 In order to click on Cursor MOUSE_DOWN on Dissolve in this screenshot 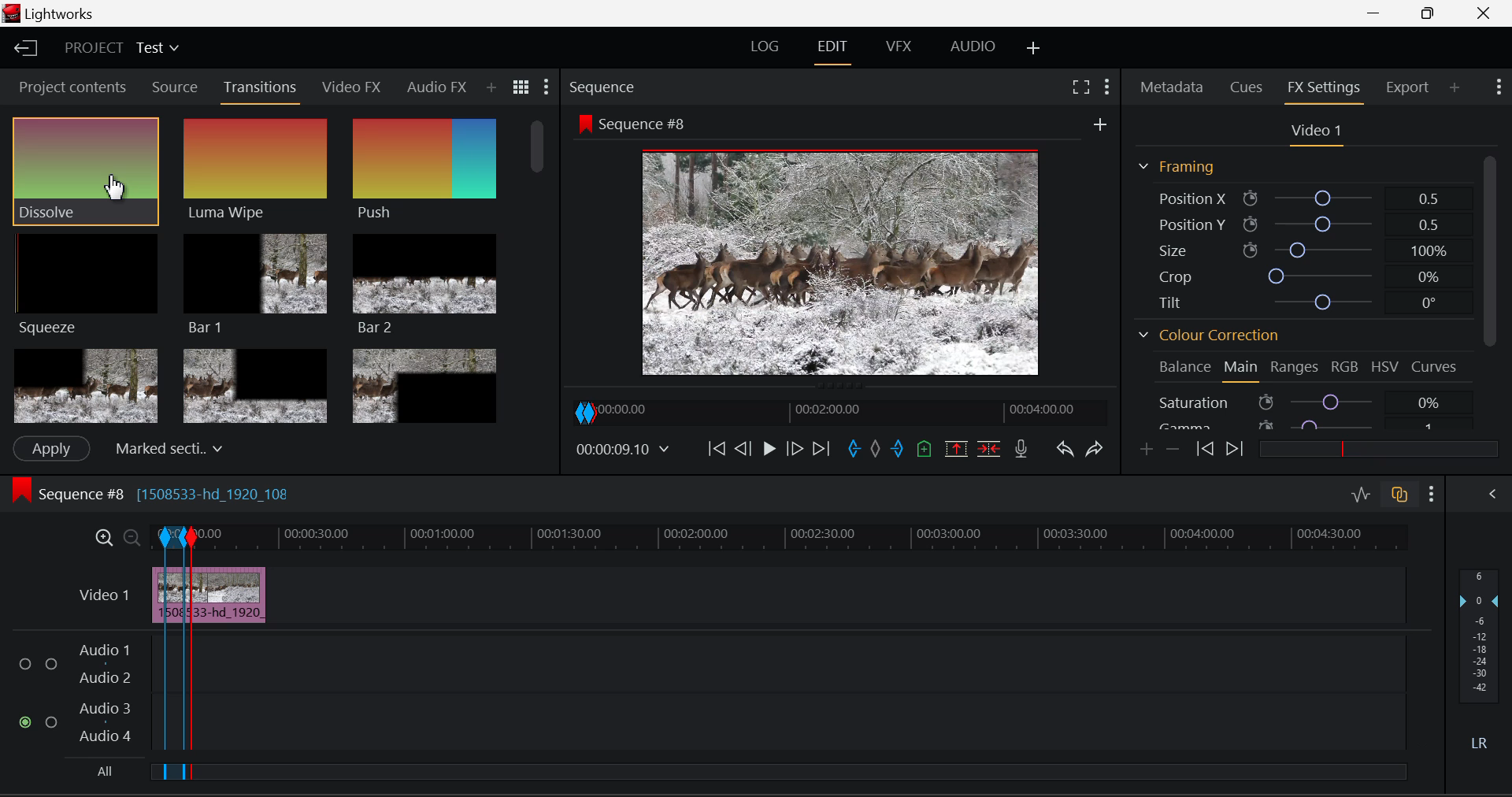, I will do `click(87, 170)`.